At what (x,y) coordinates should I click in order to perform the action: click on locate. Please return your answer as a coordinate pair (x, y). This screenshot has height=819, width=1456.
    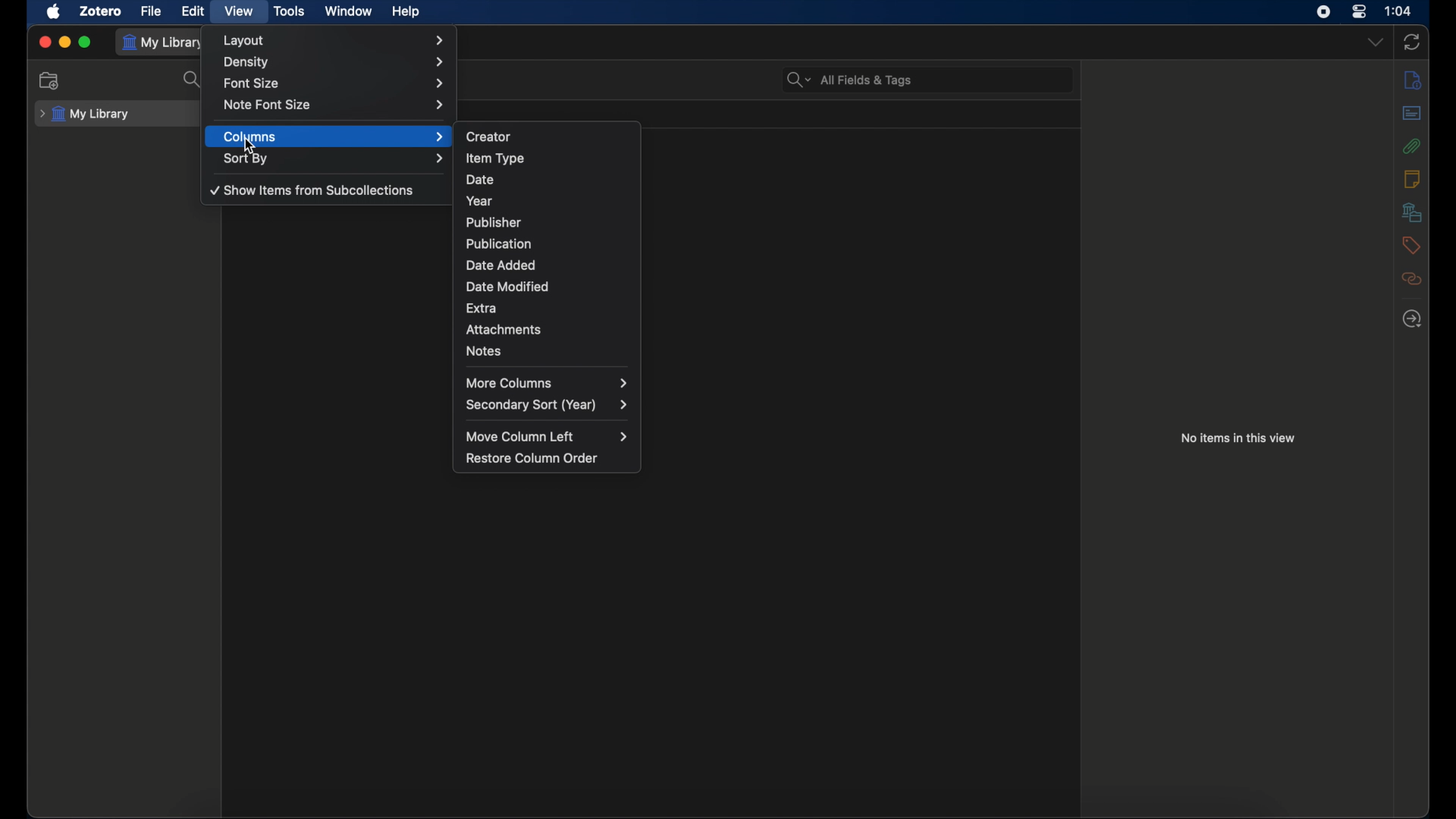
    Looking at the image, I should click on (1412, 318).